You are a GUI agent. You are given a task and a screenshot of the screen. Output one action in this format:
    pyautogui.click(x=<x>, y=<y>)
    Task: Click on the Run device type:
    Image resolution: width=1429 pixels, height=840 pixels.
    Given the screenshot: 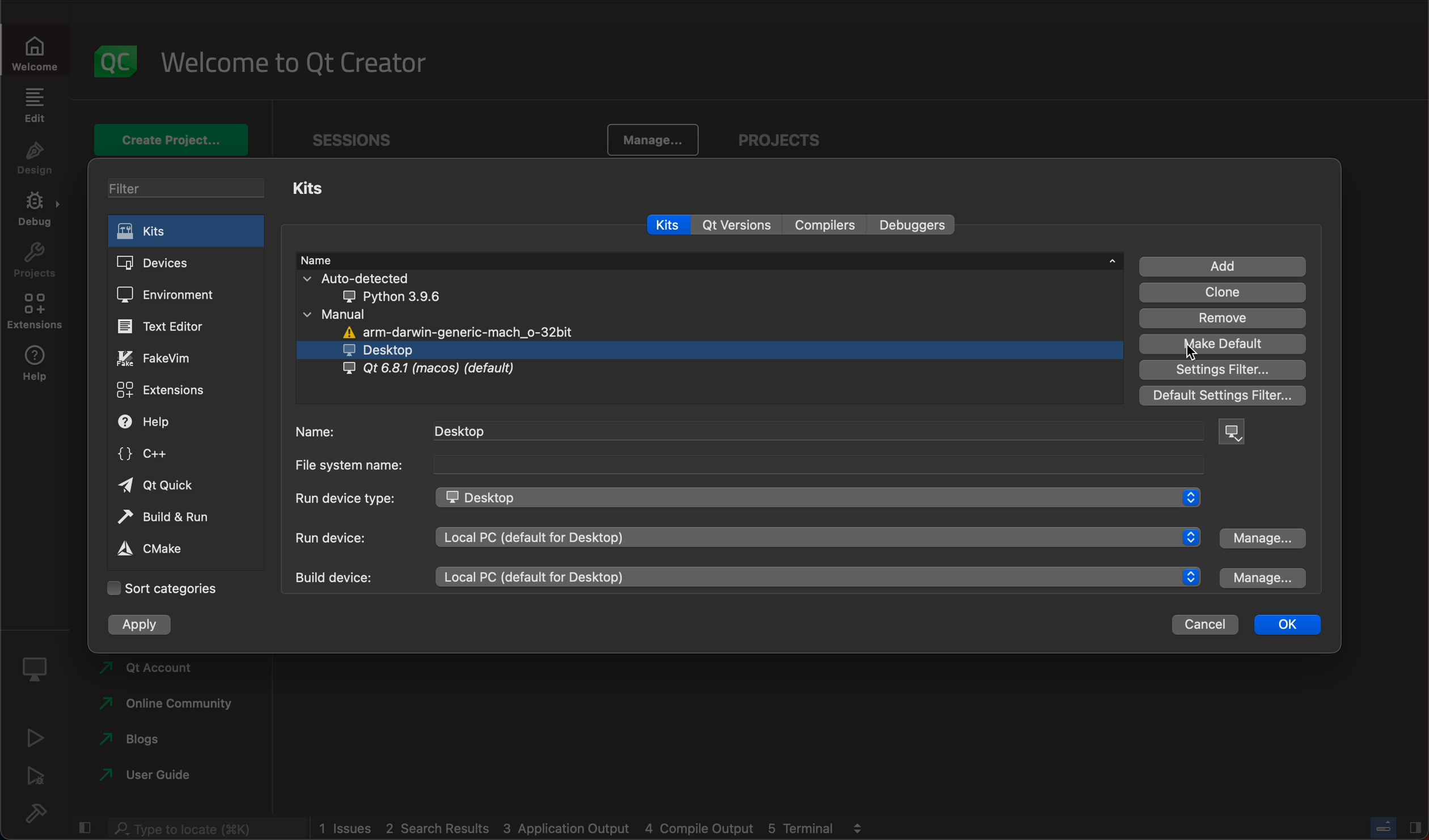 What is the action you would take?
    pyautogui.click(x=350, y=497)
    